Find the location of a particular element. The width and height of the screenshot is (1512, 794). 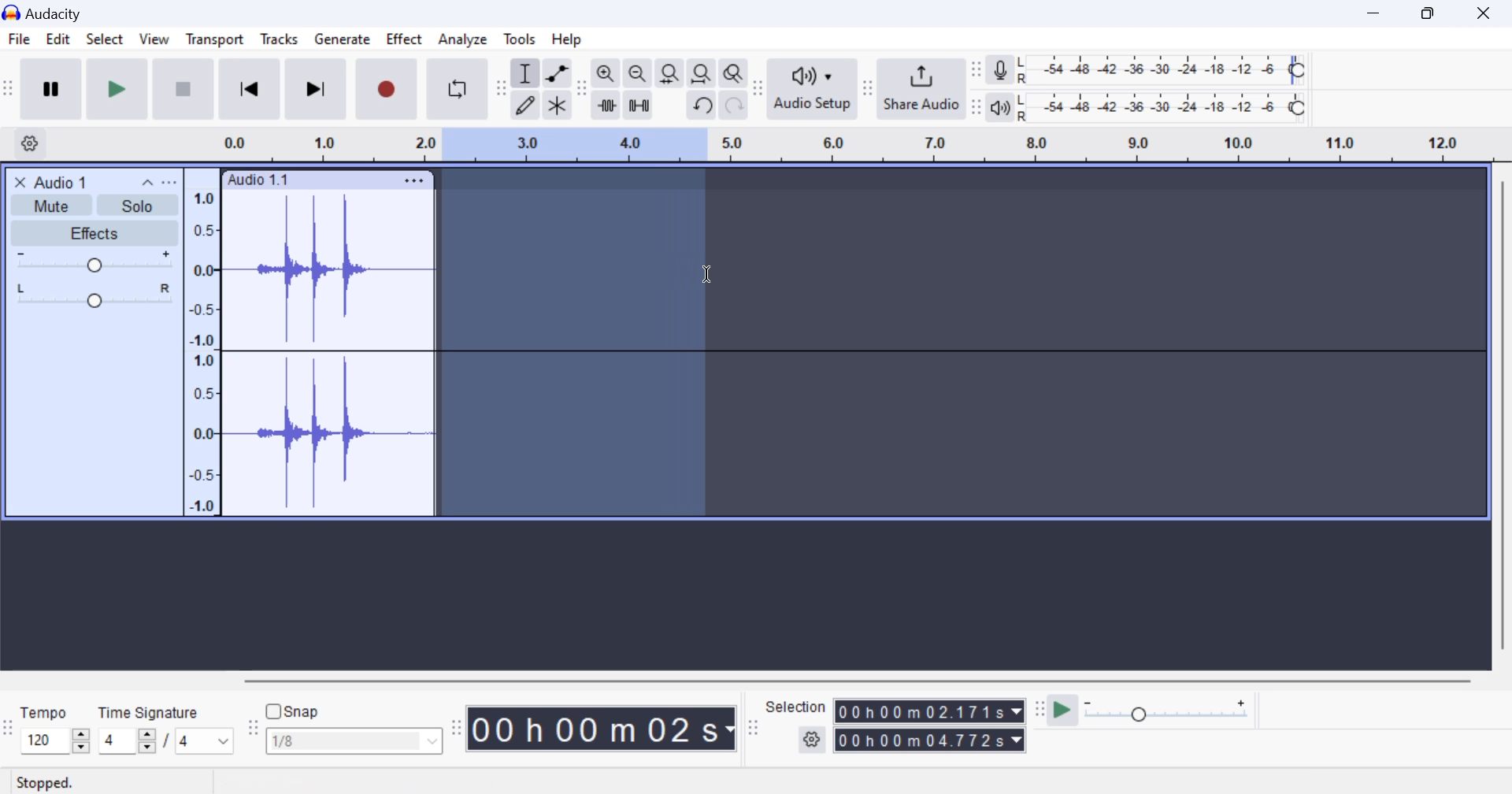

Selected Clip Length is located at coordinates (932, 728).